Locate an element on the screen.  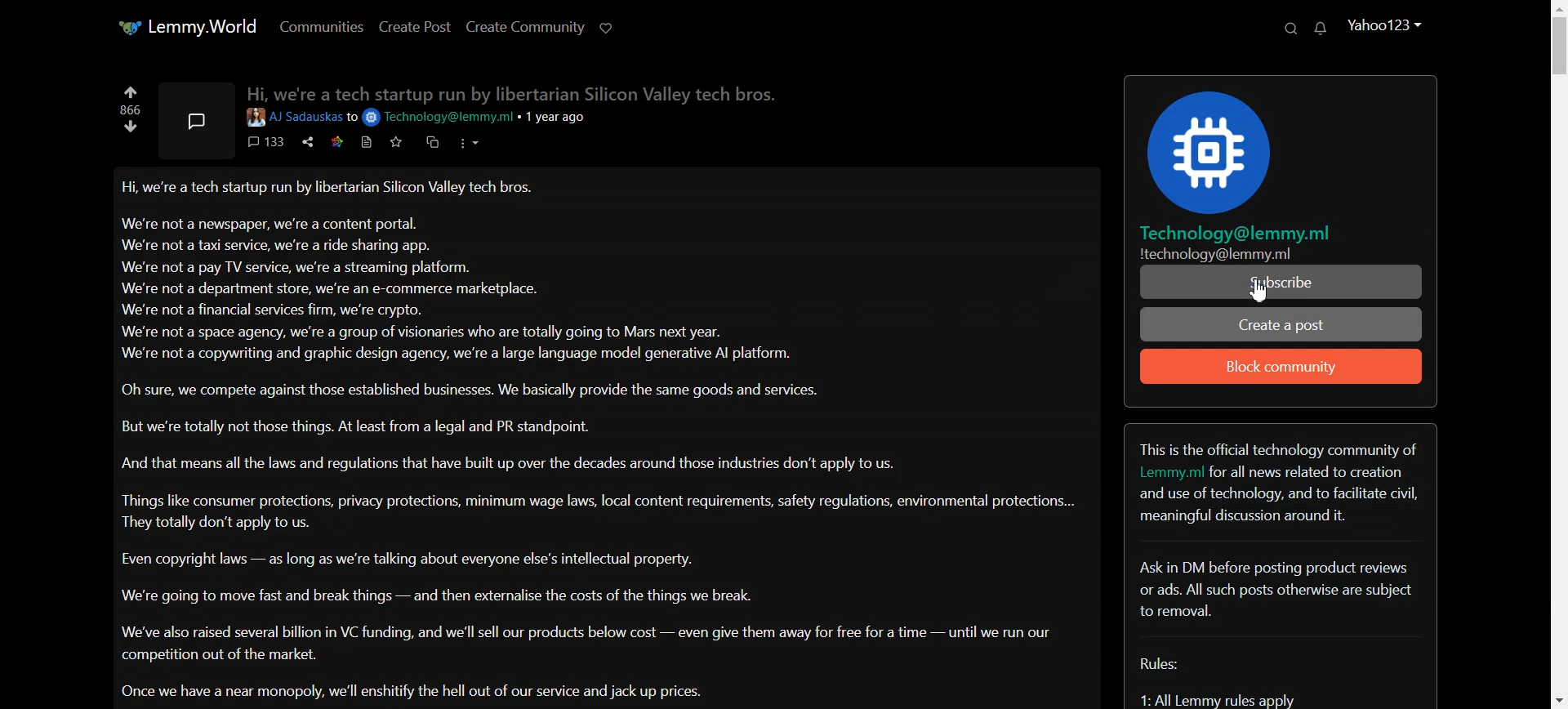
thumbnail is located at coordinates (196, 120).